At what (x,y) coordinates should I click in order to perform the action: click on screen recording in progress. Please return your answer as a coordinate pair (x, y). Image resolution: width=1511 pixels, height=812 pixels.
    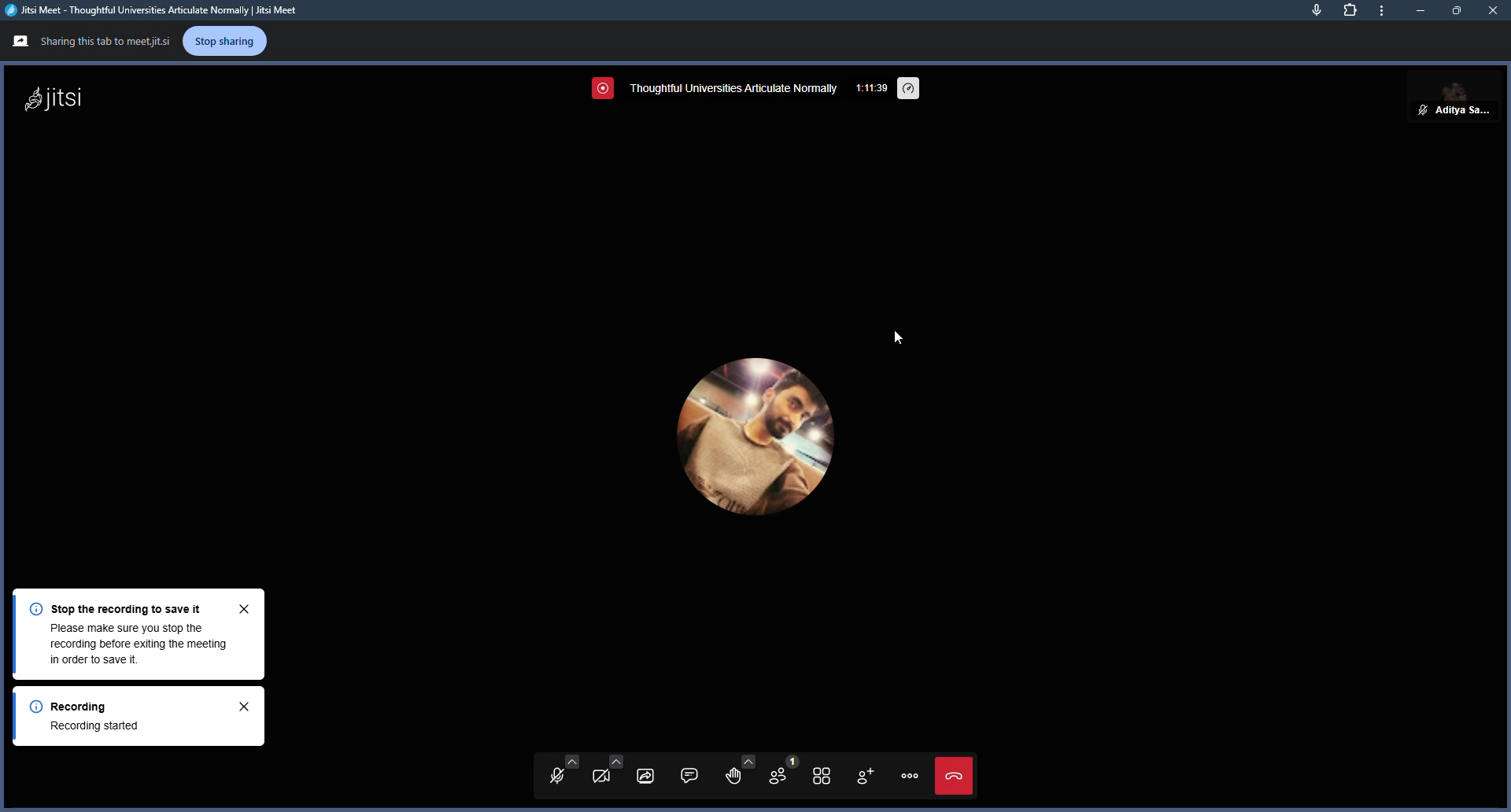
    Looking at the image, I should click on (600, 90).